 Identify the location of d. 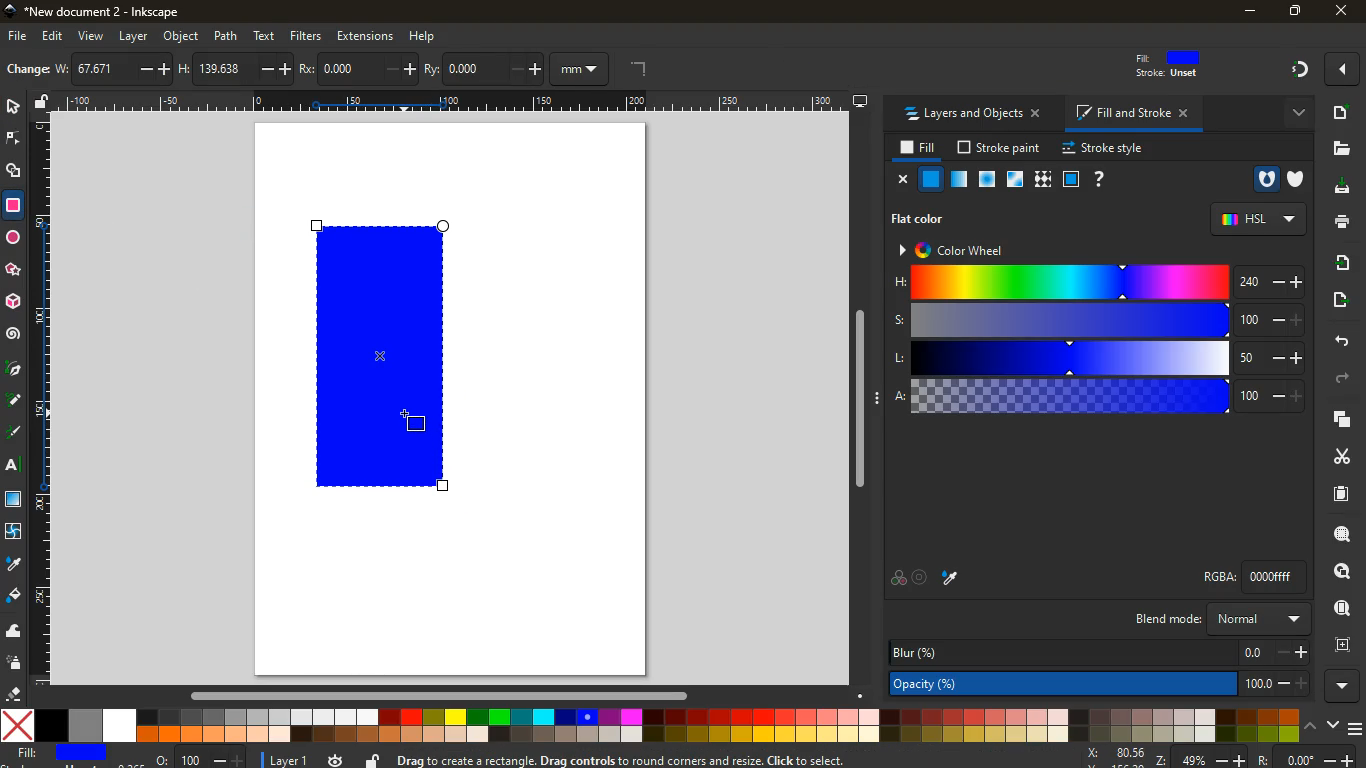
(15, 400).